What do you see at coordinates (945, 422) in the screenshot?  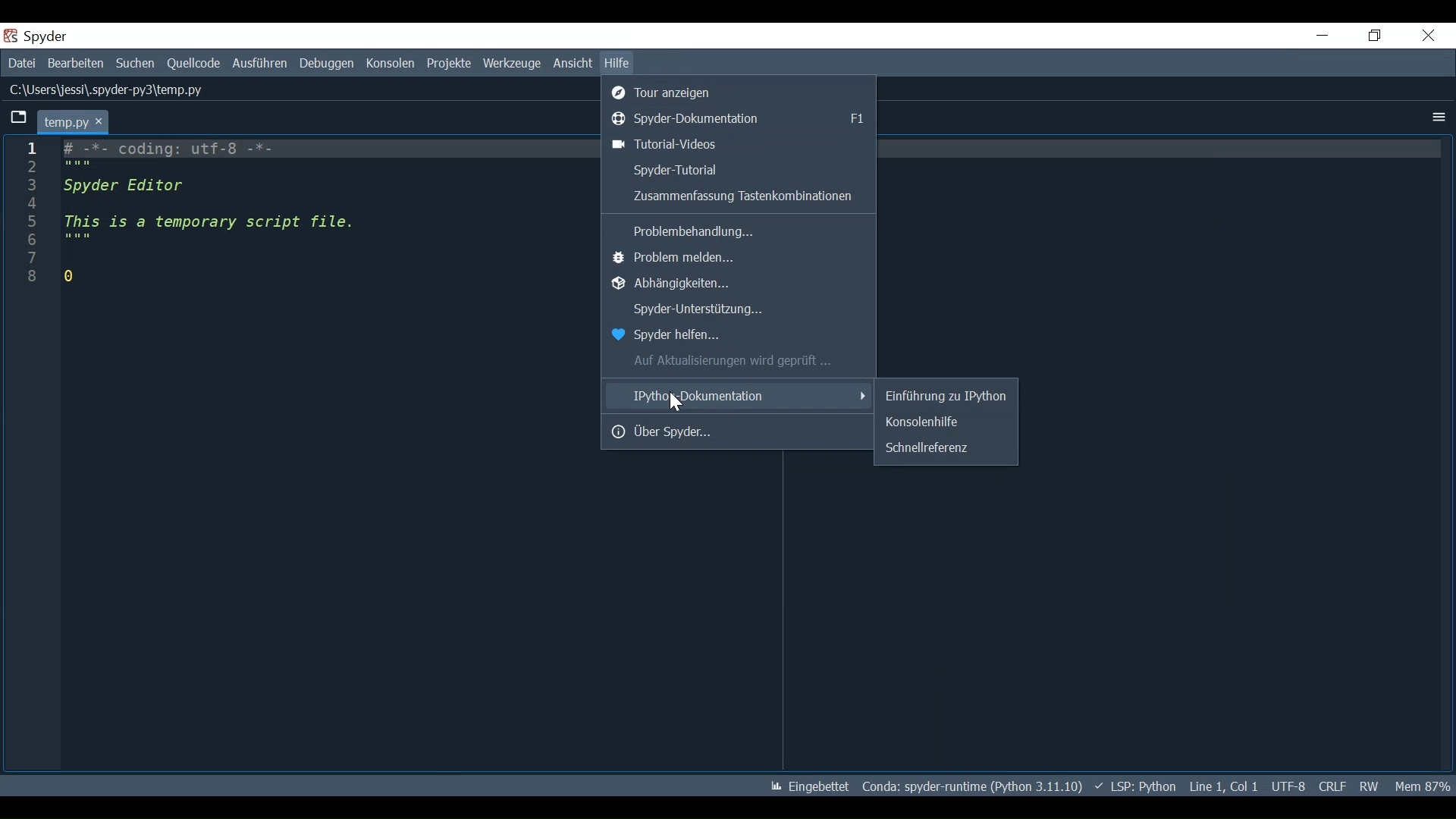 I see `Console Help` at bounding box center [945, 422].